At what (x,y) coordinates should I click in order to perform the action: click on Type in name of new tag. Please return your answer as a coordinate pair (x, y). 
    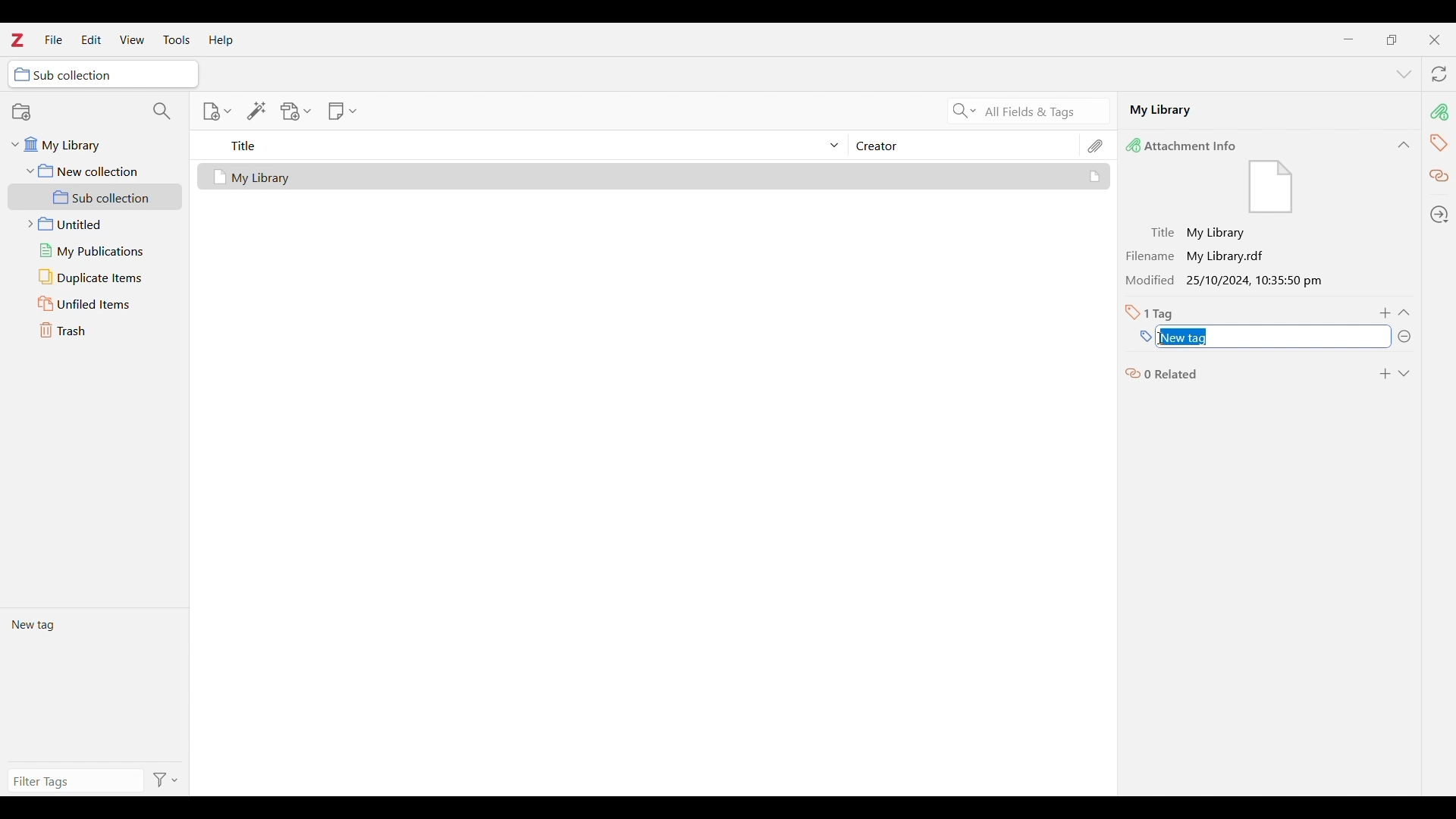
    Looking at the image, I should click on (1146, 337).